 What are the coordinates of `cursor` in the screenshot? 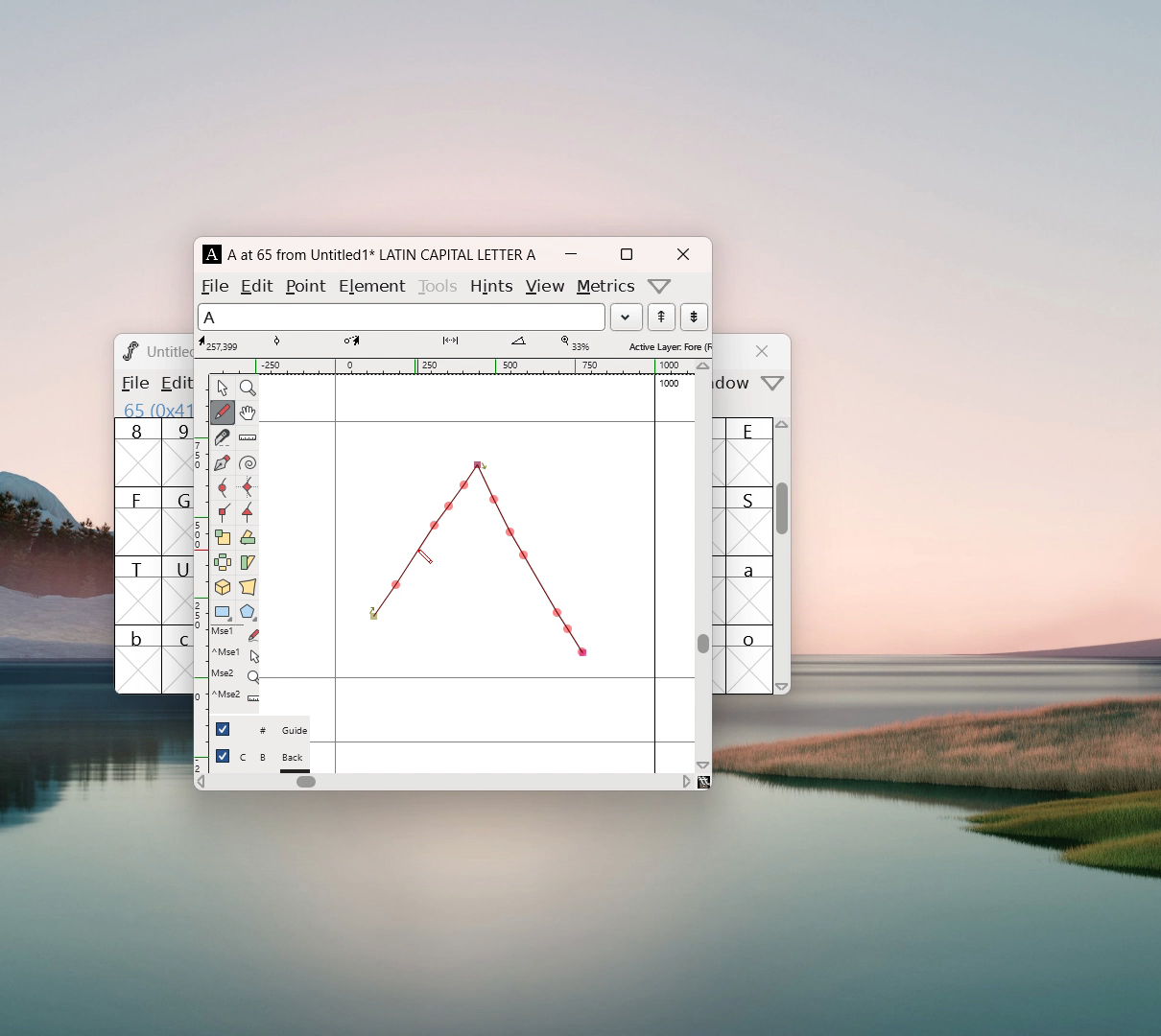 It's located at (425, 556).